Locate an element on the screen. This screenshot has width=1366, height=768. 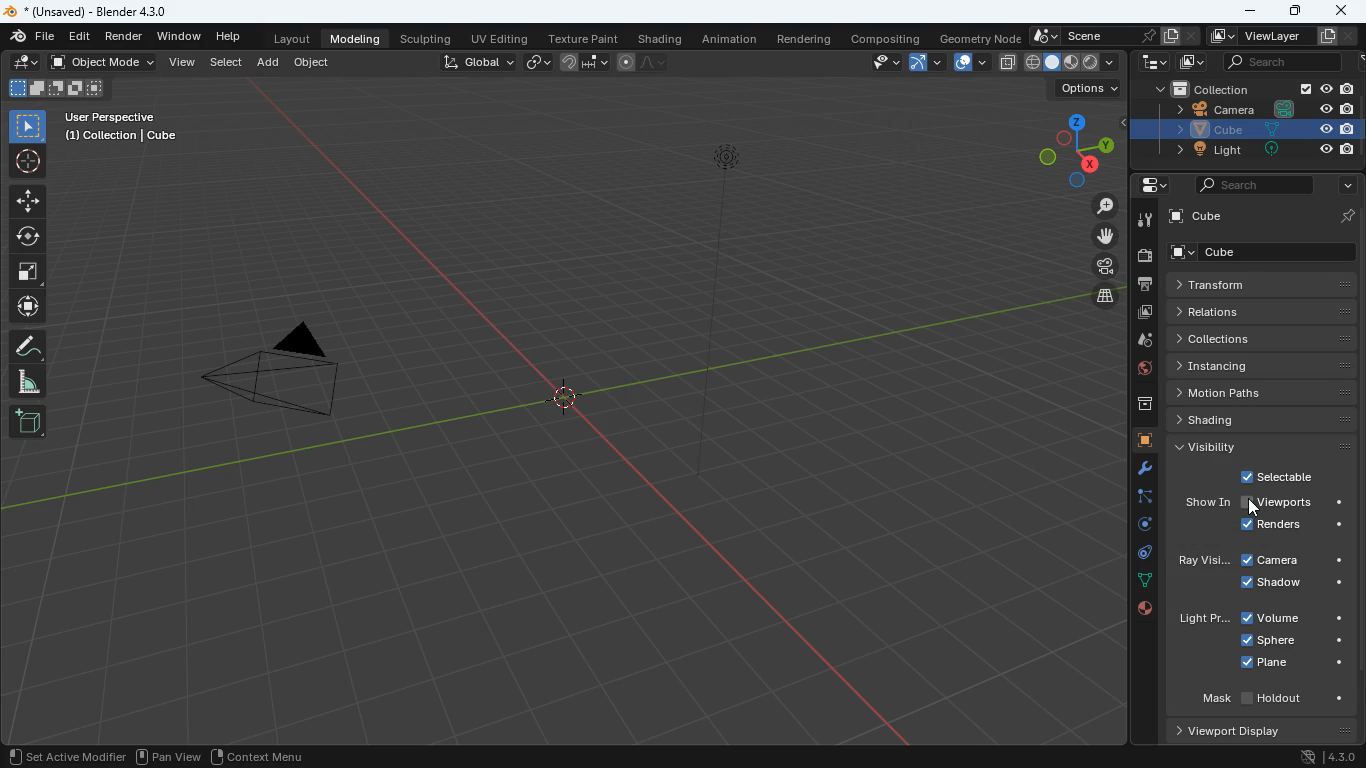
motion paths is located at coordinates (1262, 391).